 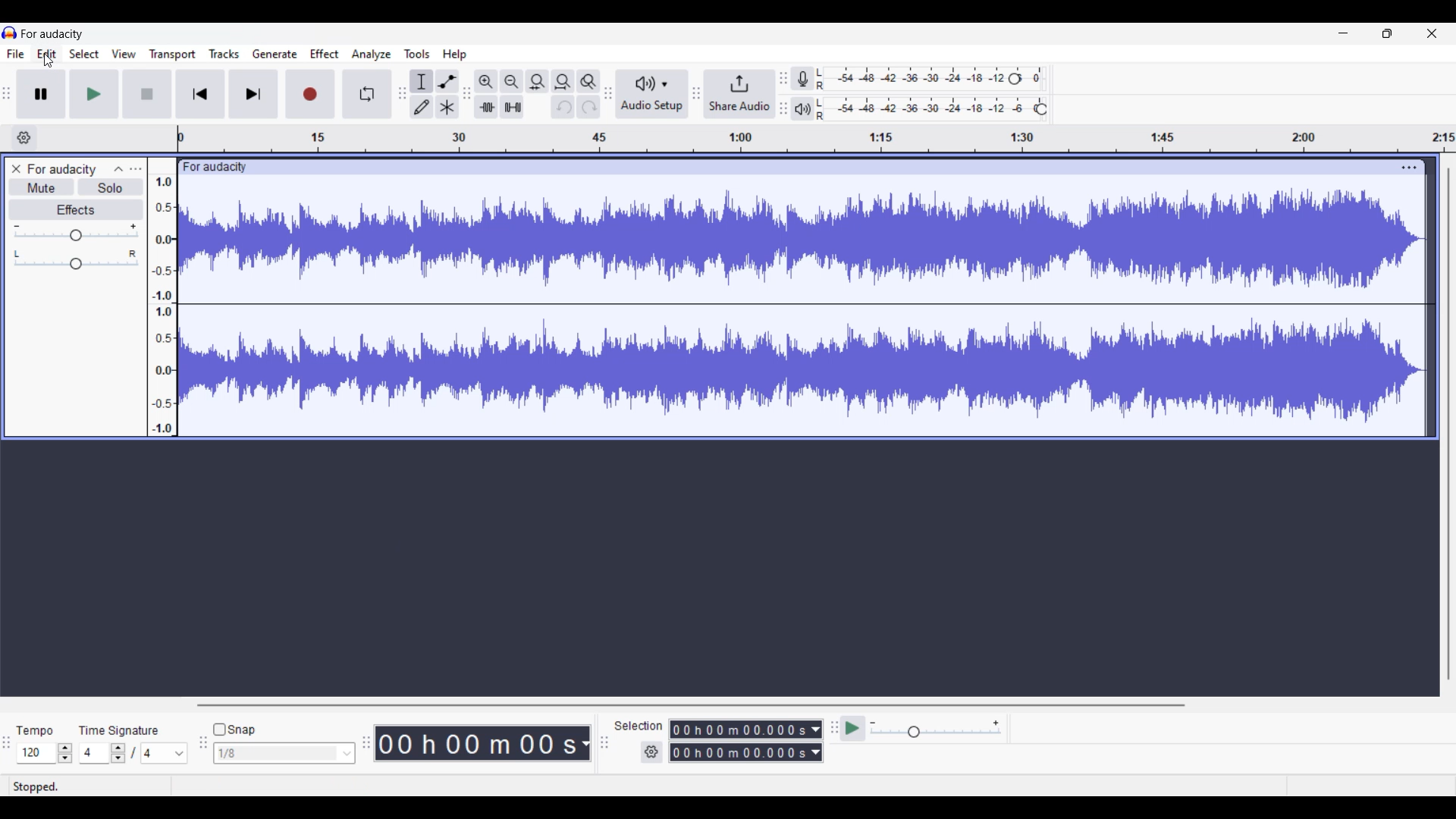 What do you see at coordinates (512, 82) in the screenshot?
I see `Zoom out` at bounding box center [512, 82].